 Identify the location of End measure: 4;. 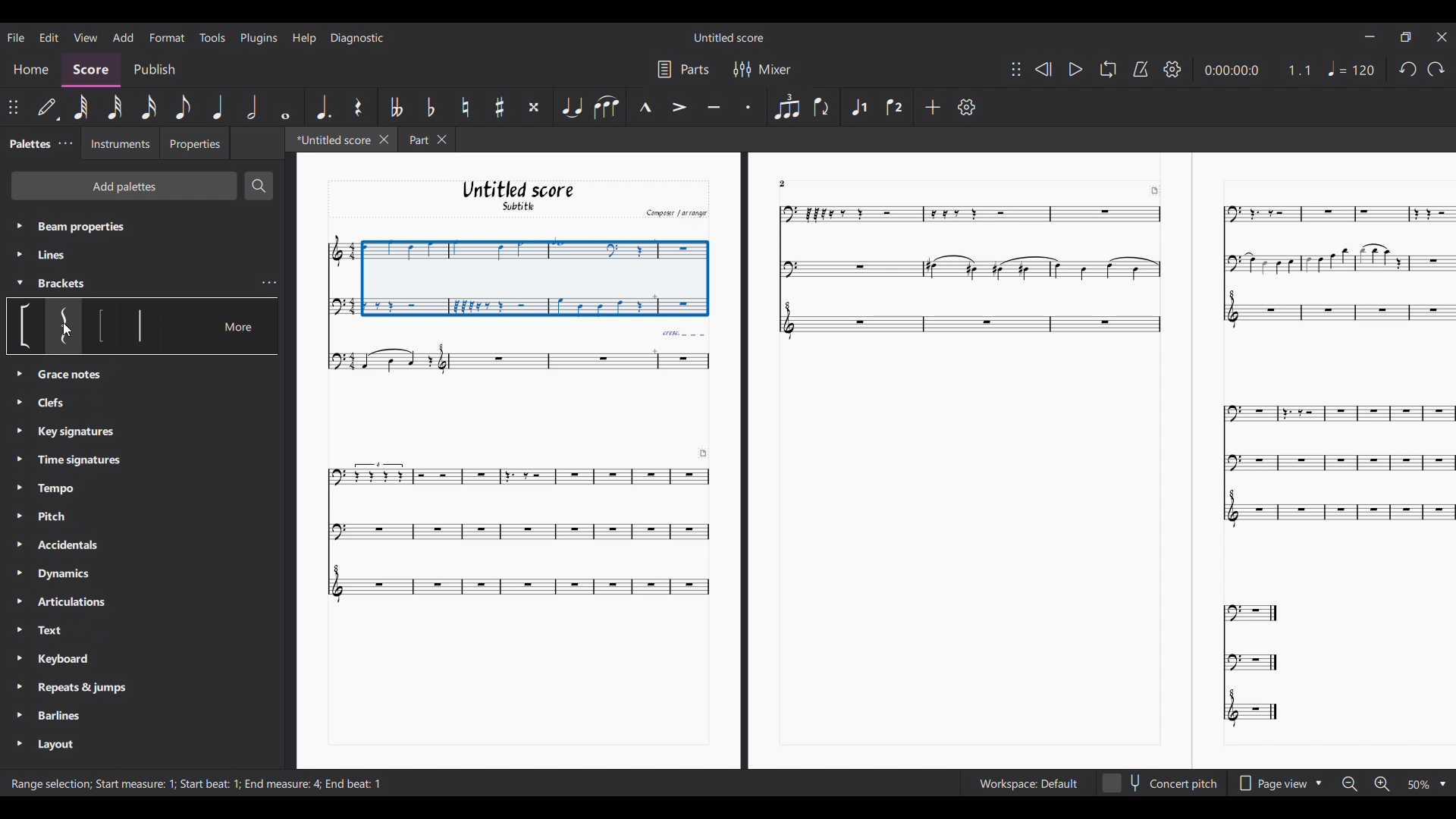
(282, 783).